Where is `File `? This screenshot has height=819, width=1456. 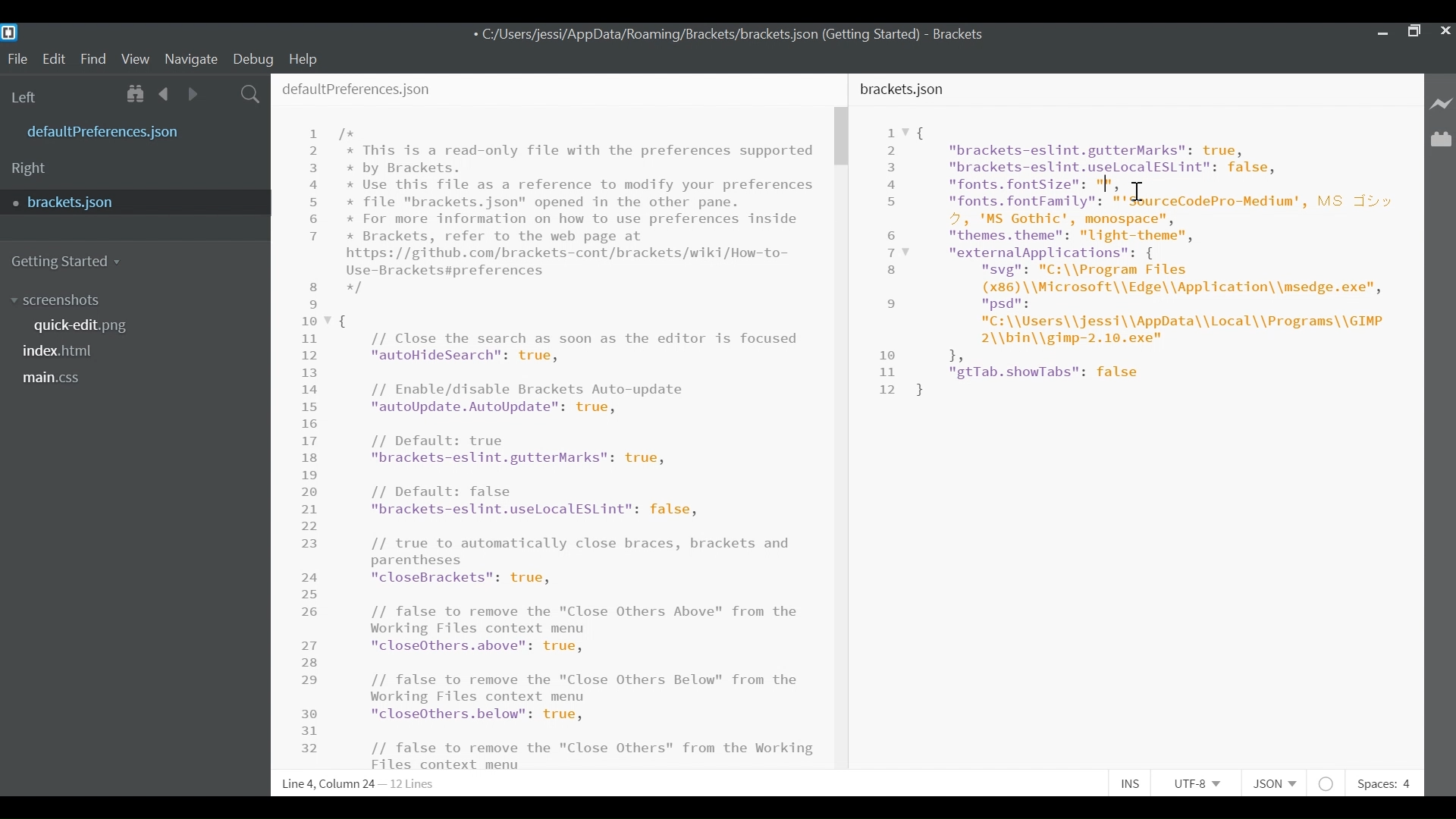
File  is located at coordinates (14, 58).